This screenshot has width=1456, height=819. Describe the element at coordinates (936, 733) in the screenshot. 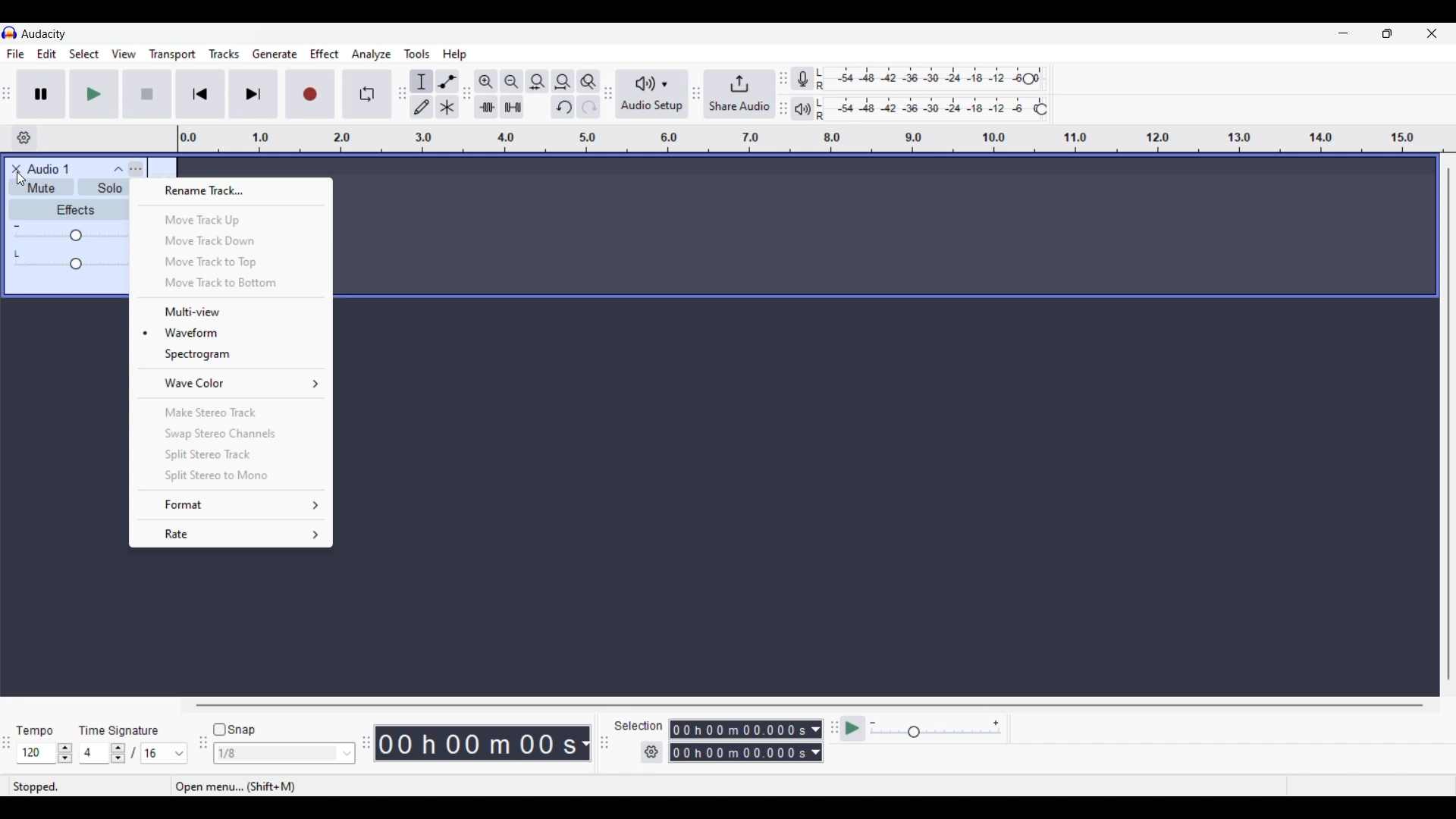

I see `Slider to change playback speed` at that location.